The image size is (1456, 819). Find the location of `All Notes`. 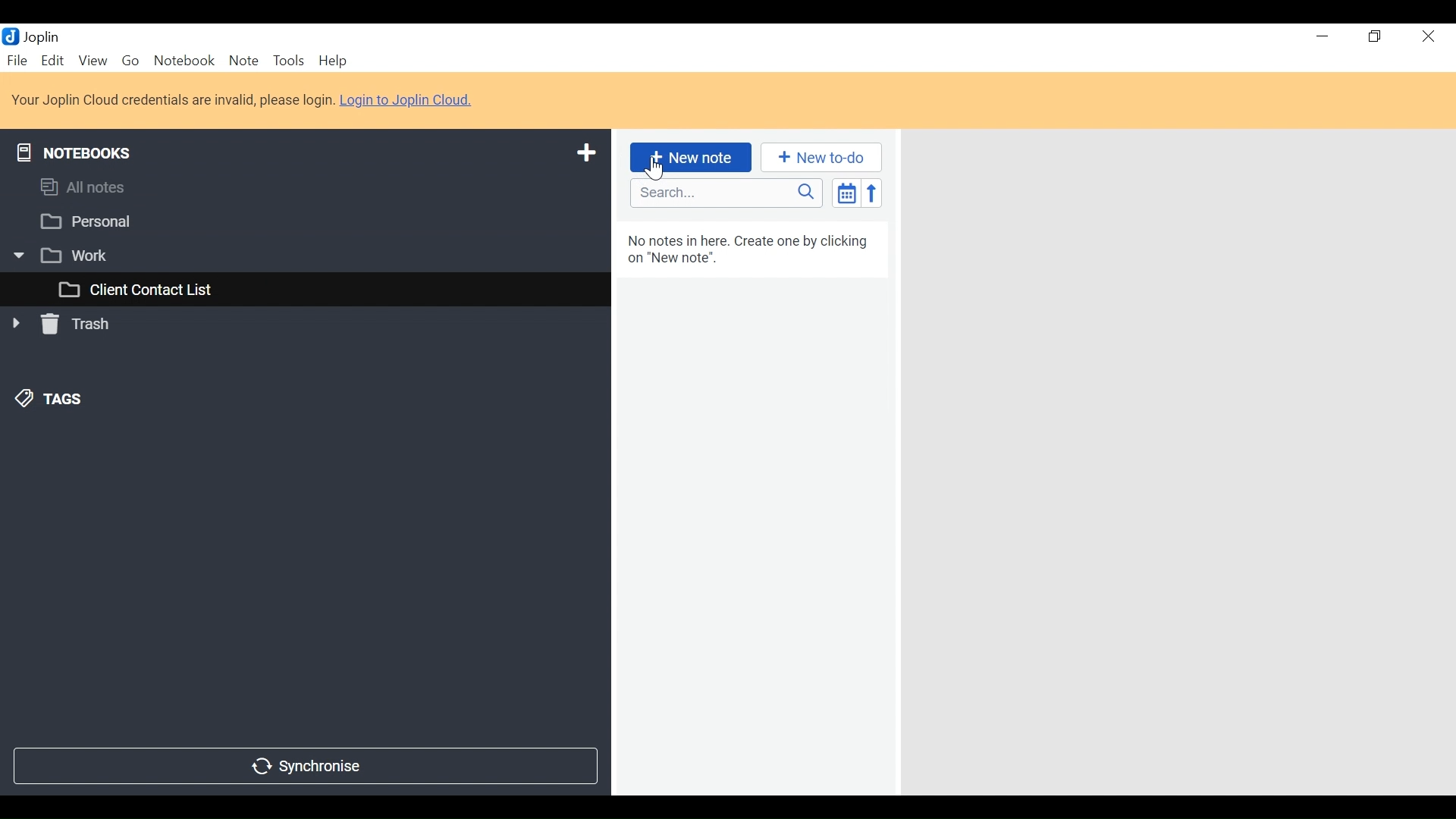

All Notes is located at coordinates (304, 190).